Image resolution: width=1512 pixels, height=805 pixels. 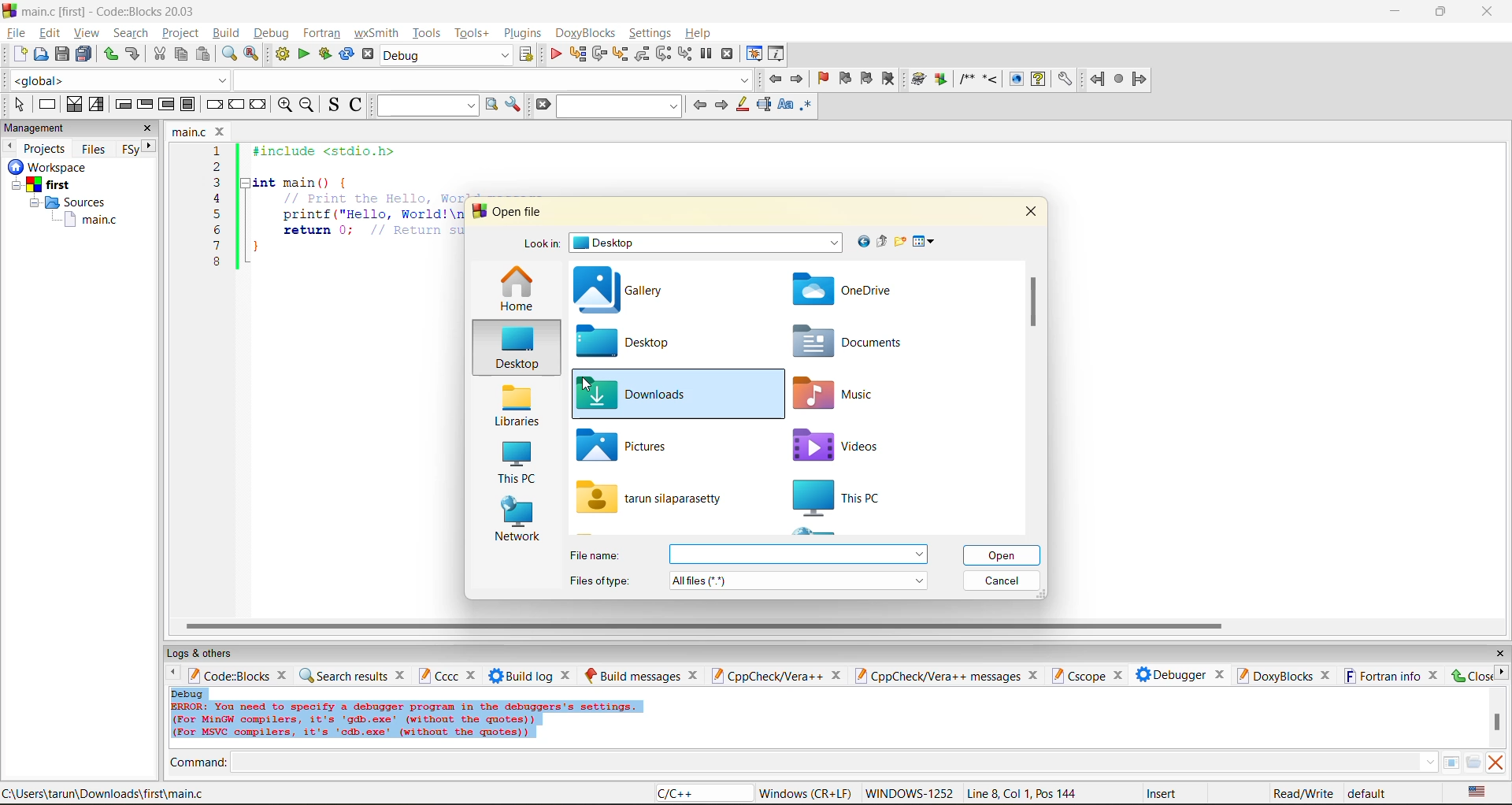 What do you see at coordinates (63, 54) in the screenshot?
I see `save` at bounding box center [63, 54].